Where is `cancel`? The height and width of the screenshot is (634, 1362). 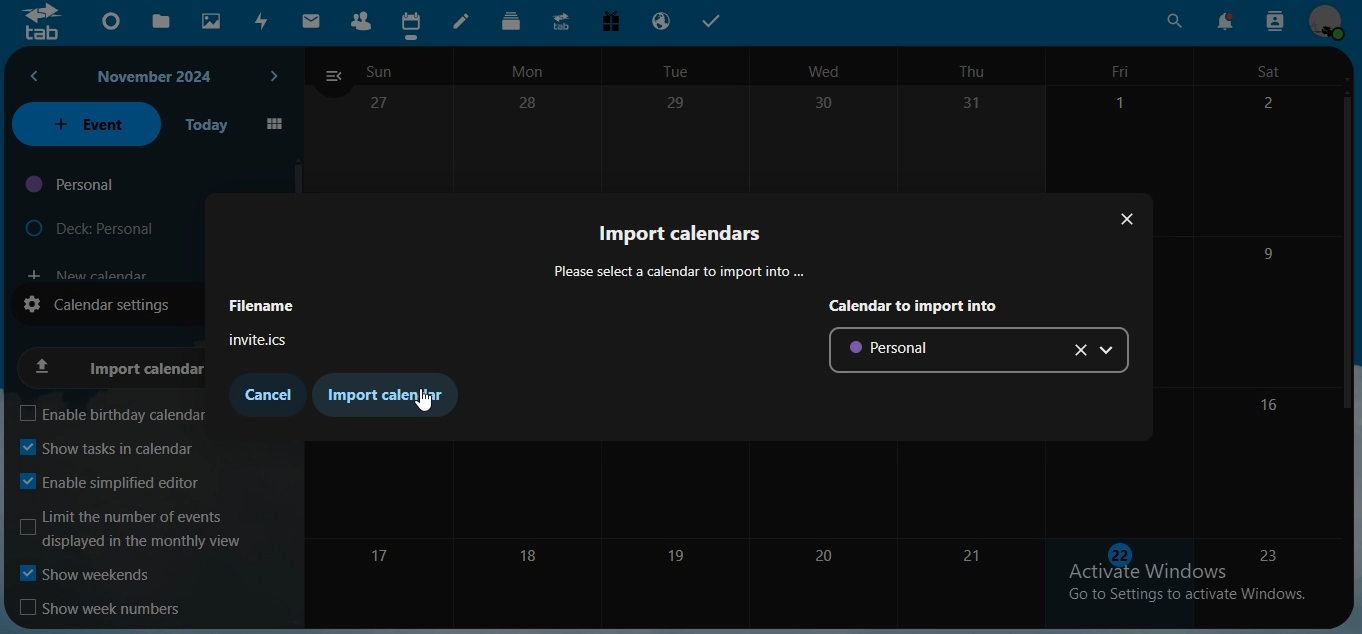
cancel is located at coordinates (267, 394).